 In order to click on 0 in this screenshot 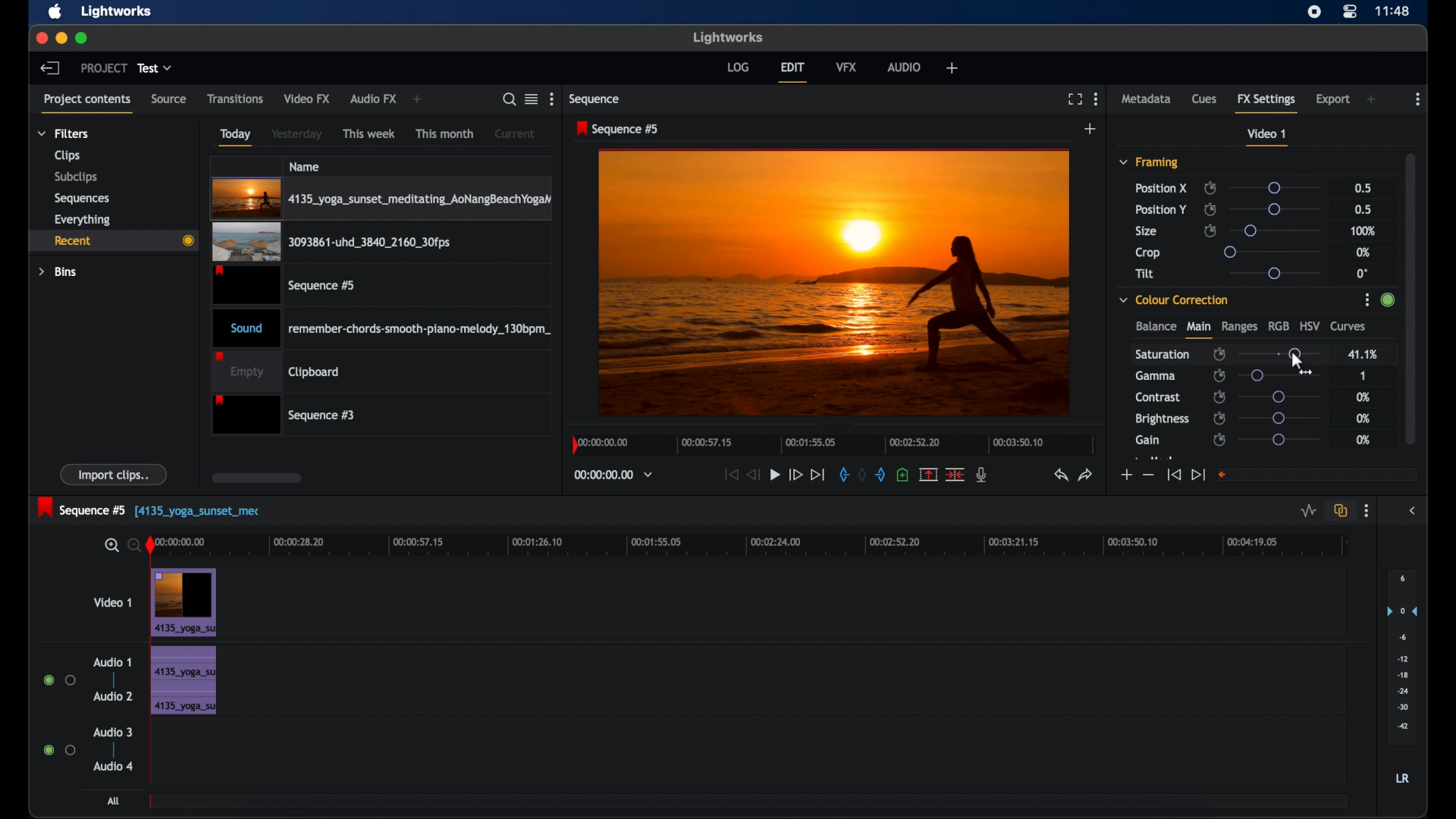, I will do `click(1362, 273)`.